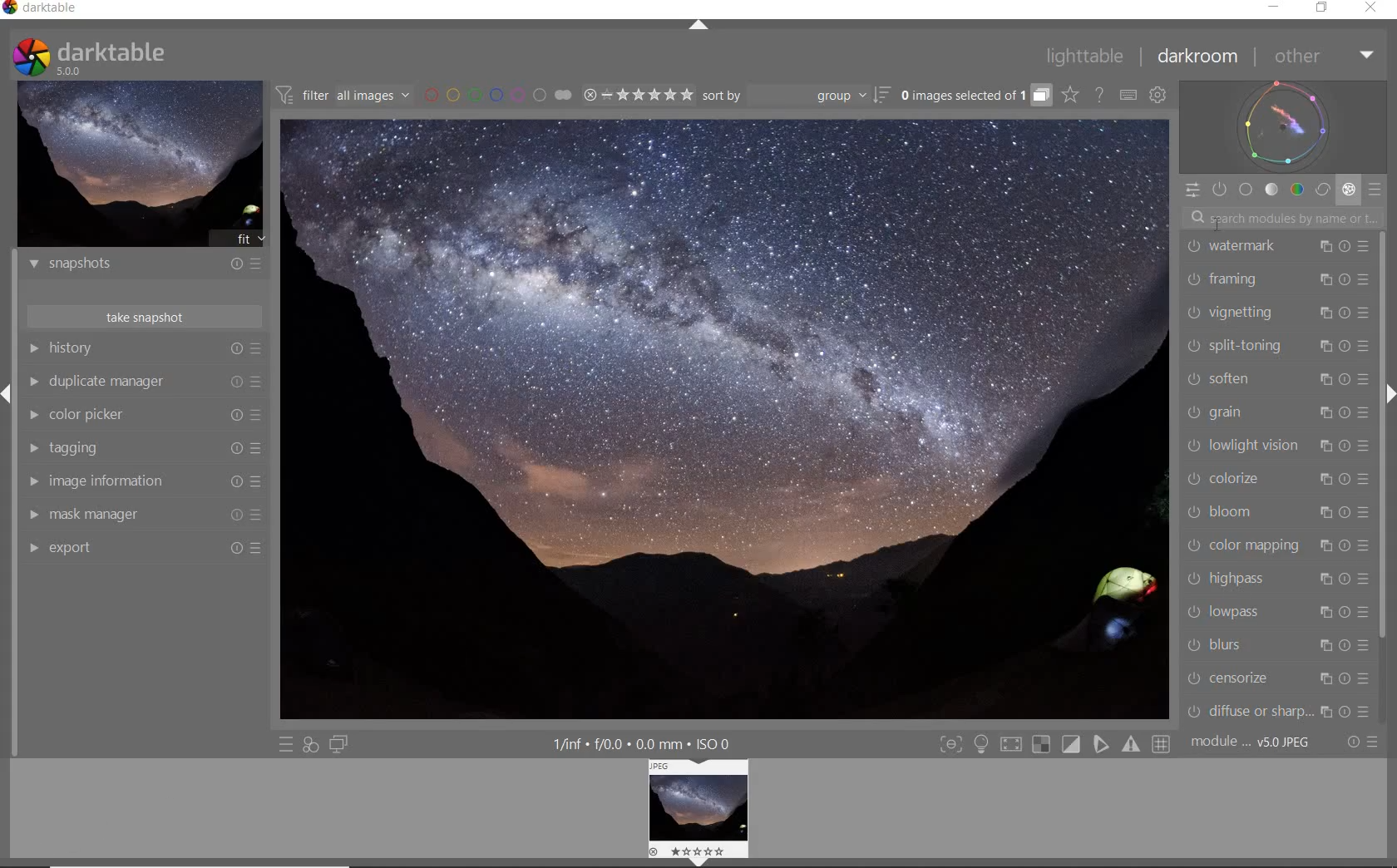  What do you see at coordinates (1362, 379) in the screenshot?
I see `presets` at bounding box center [1362, 379].